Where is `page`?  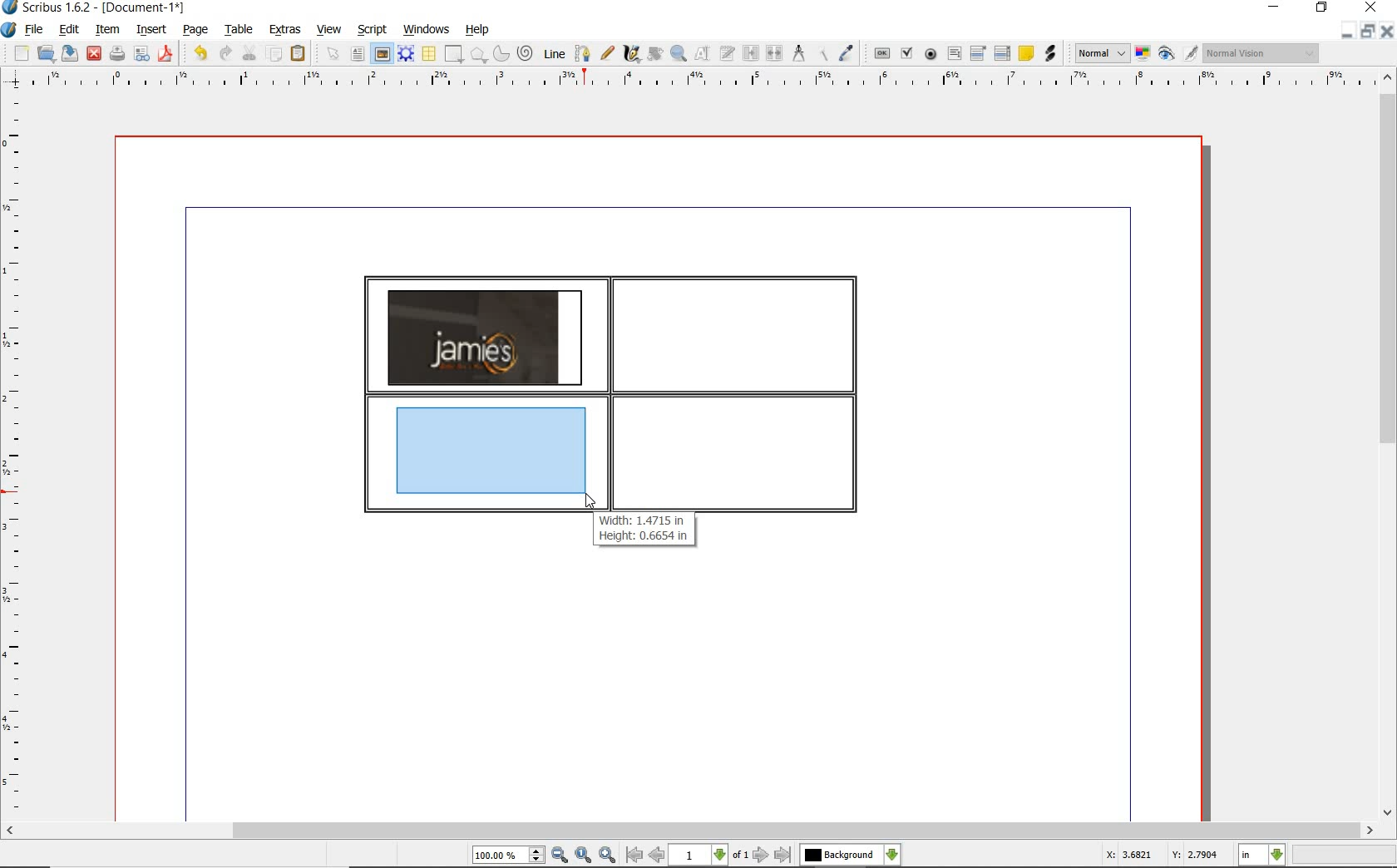 page is located at coordinates (195, 31).